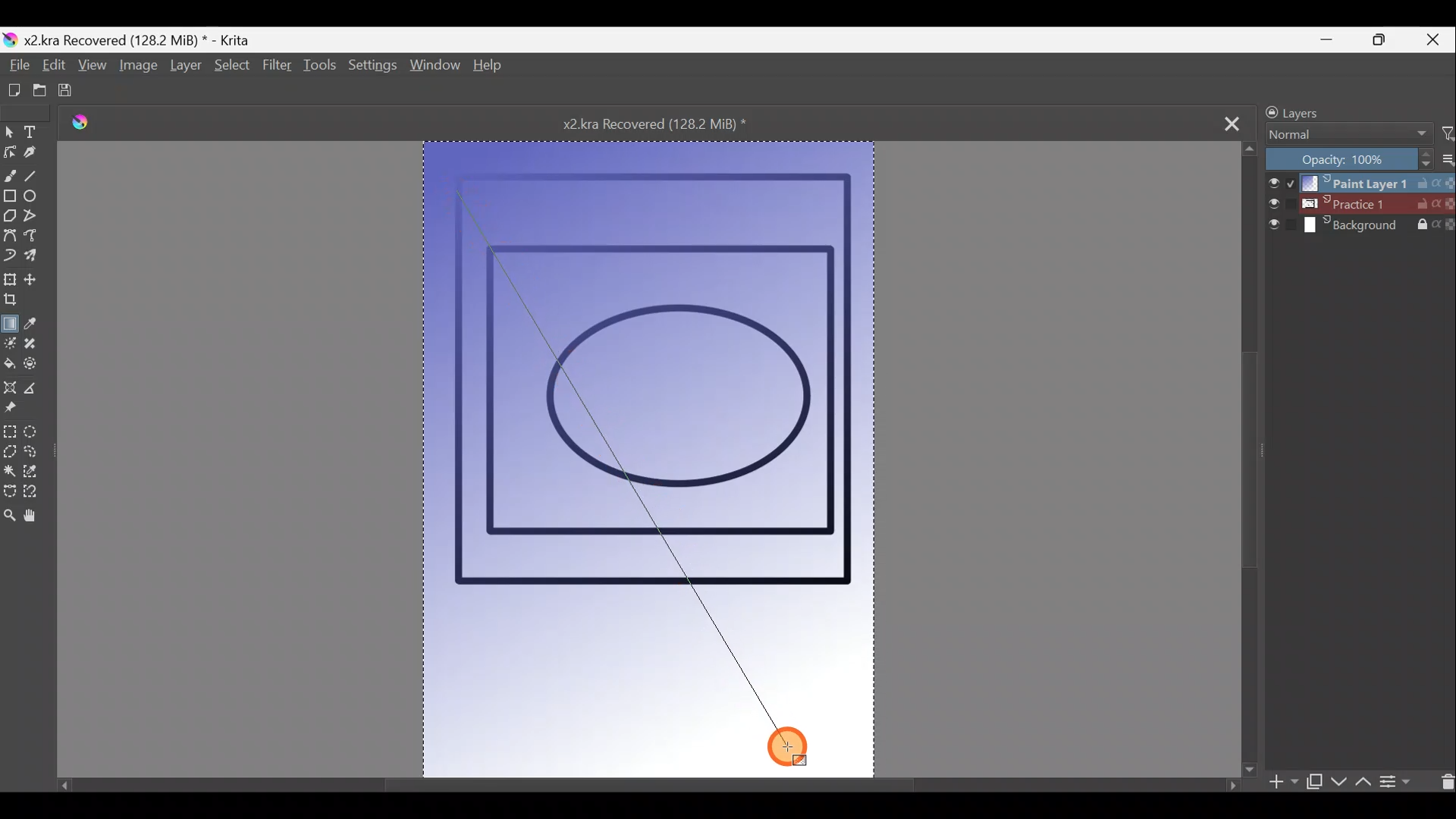  What do you see at coordinates (11, 256) in the screenshot?
I see `Dynamic brush tool` at bounding box center [11, 256].